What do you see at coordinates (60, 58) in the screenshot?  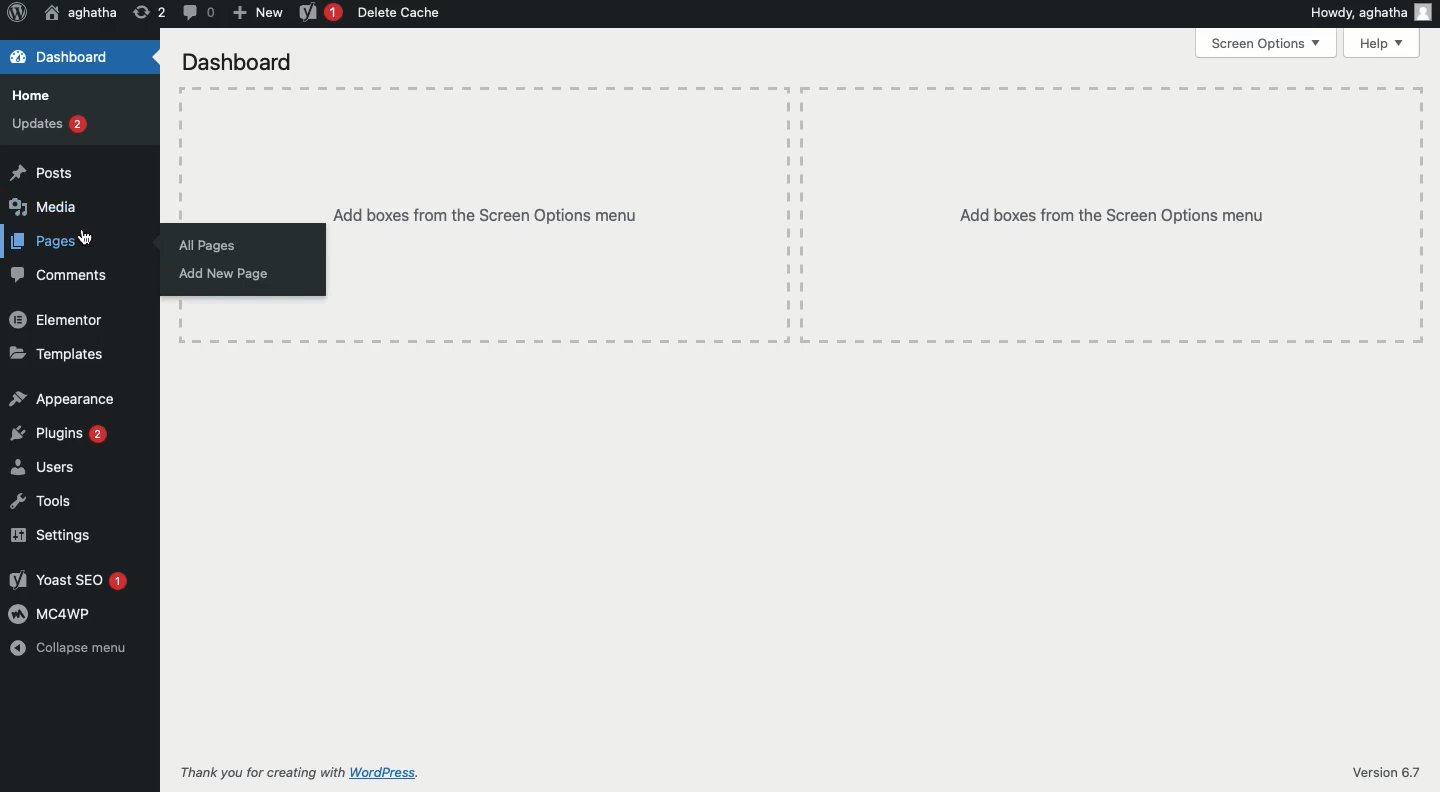 I see `Dashboard` at bounding box center [60, 58].